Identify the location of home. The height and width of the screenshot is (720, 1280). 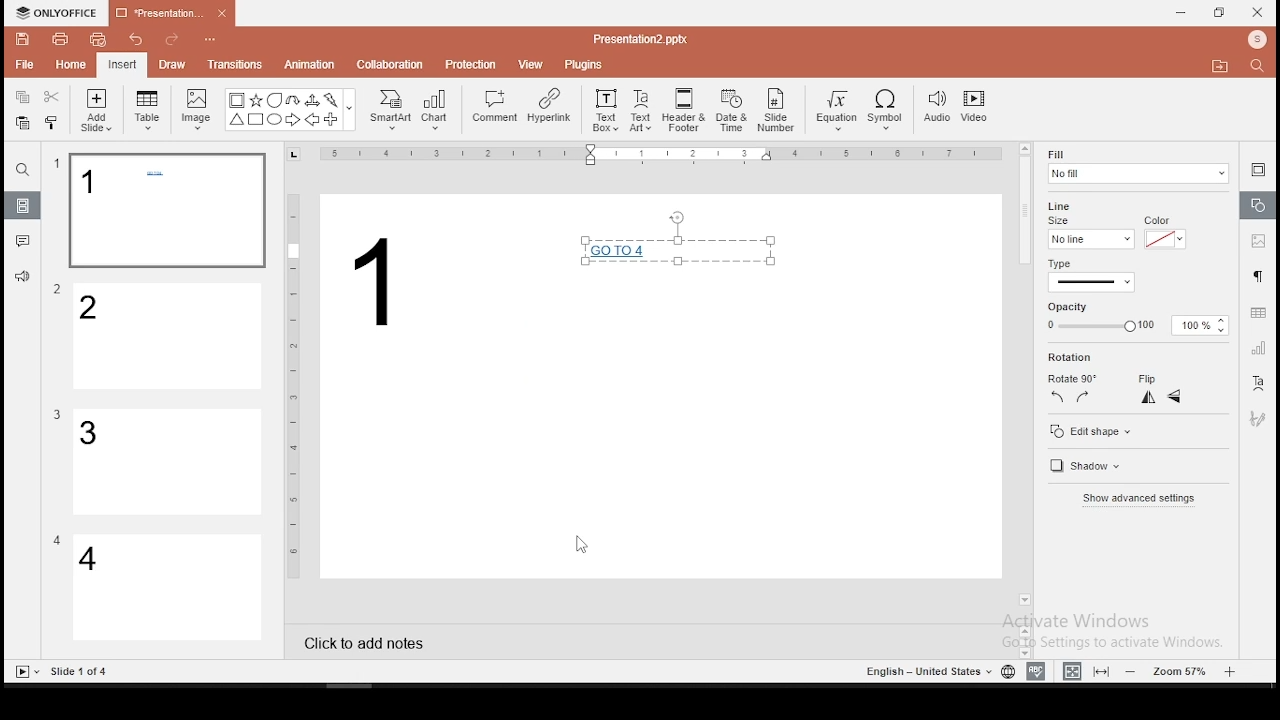
(69, 64).